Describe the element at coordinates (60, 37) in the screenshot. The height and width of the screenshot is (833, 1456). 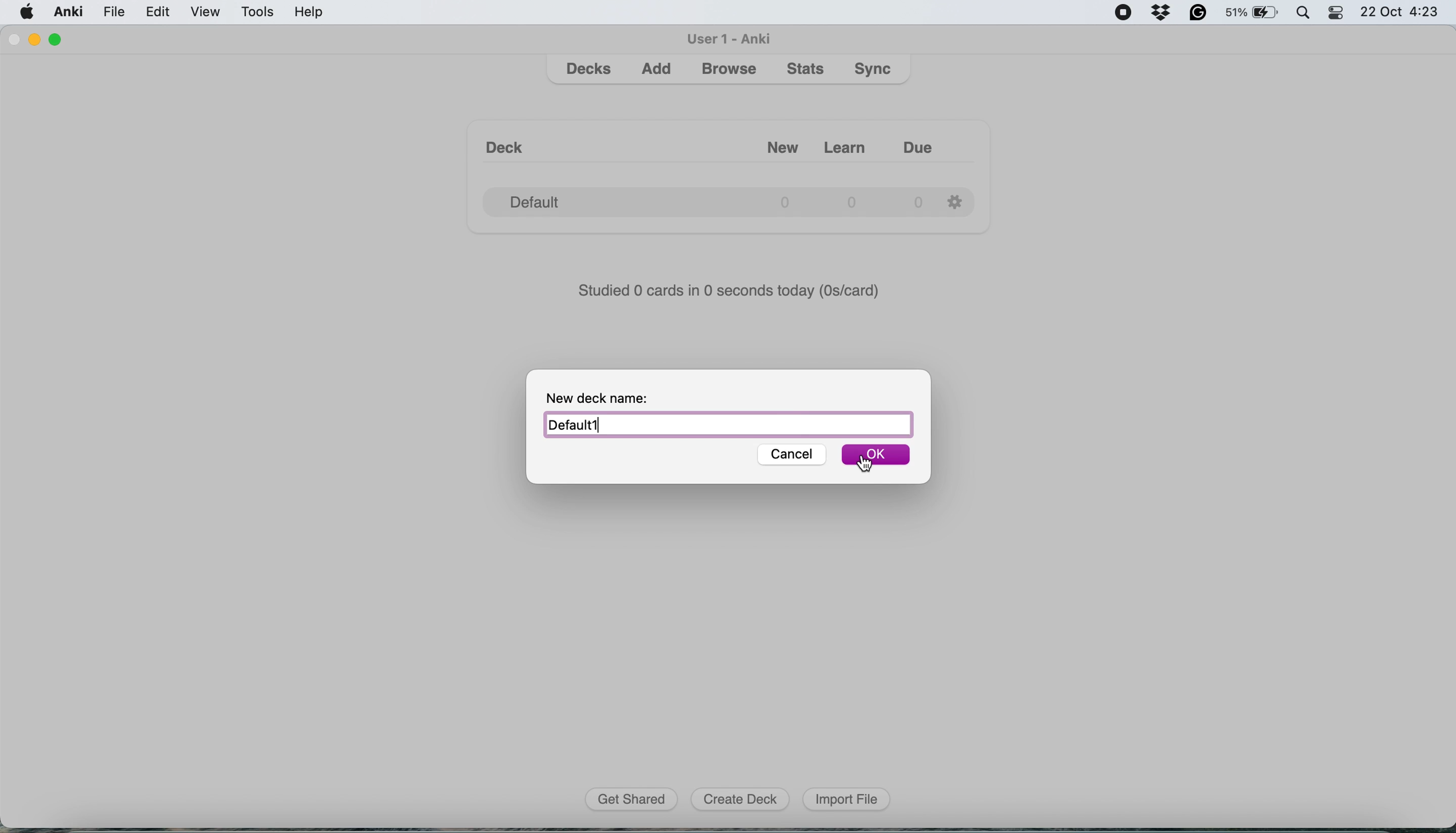
I see `maximise` at that location.